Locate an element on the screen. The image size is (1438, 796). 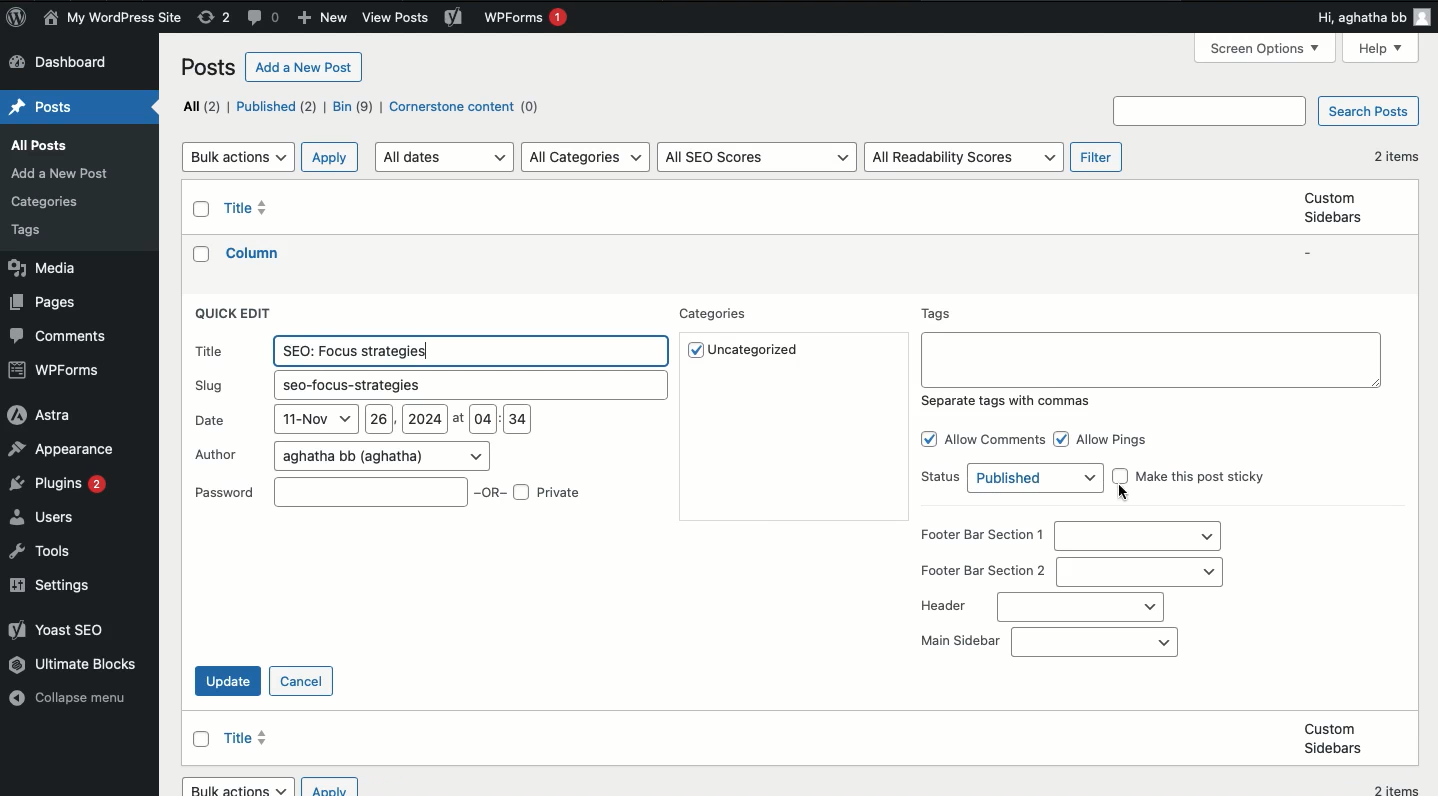
Posts is located at coordinates (45, 108).